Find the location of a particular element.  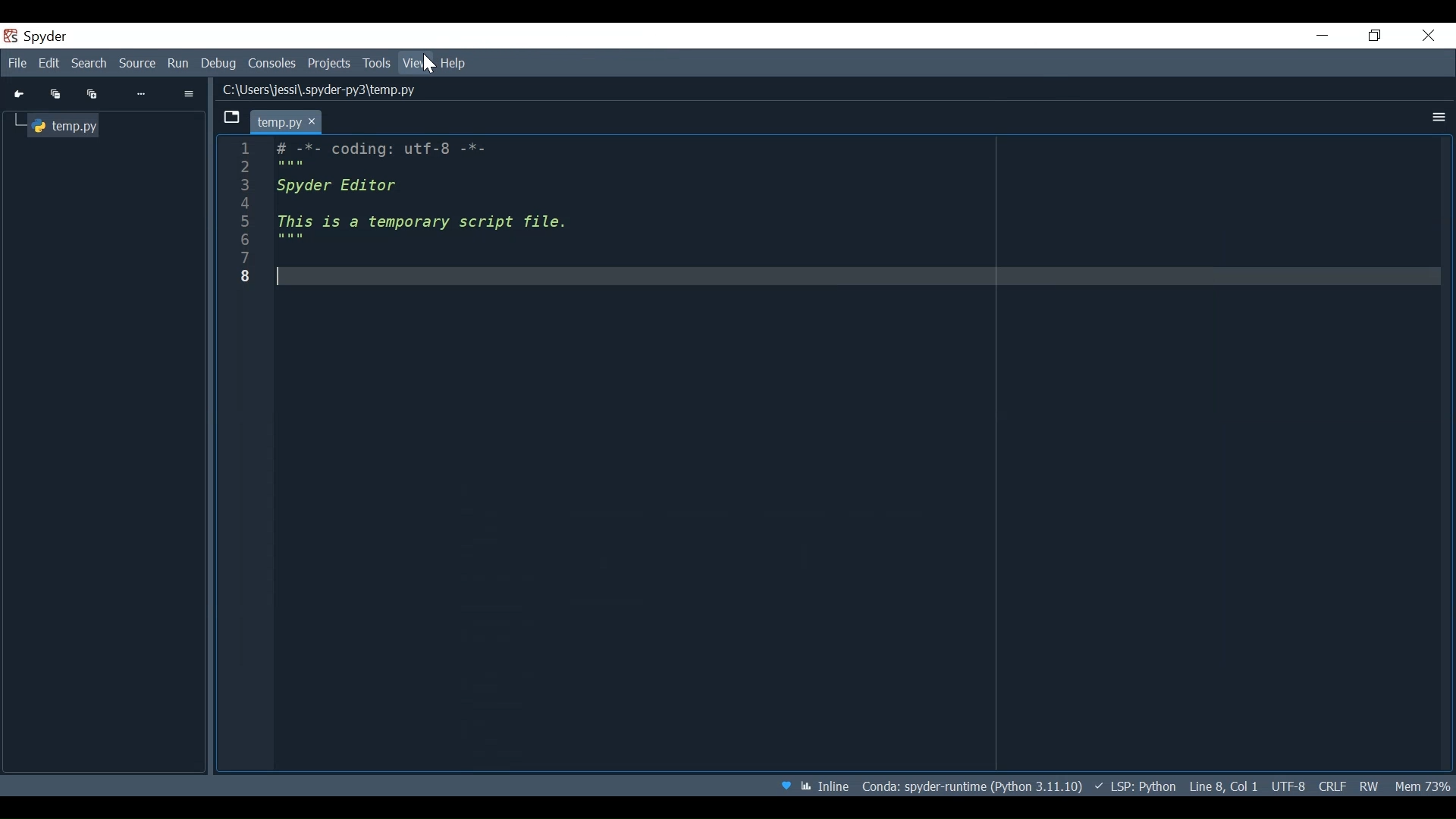

Collapse all is located at coordinates (52, 93).